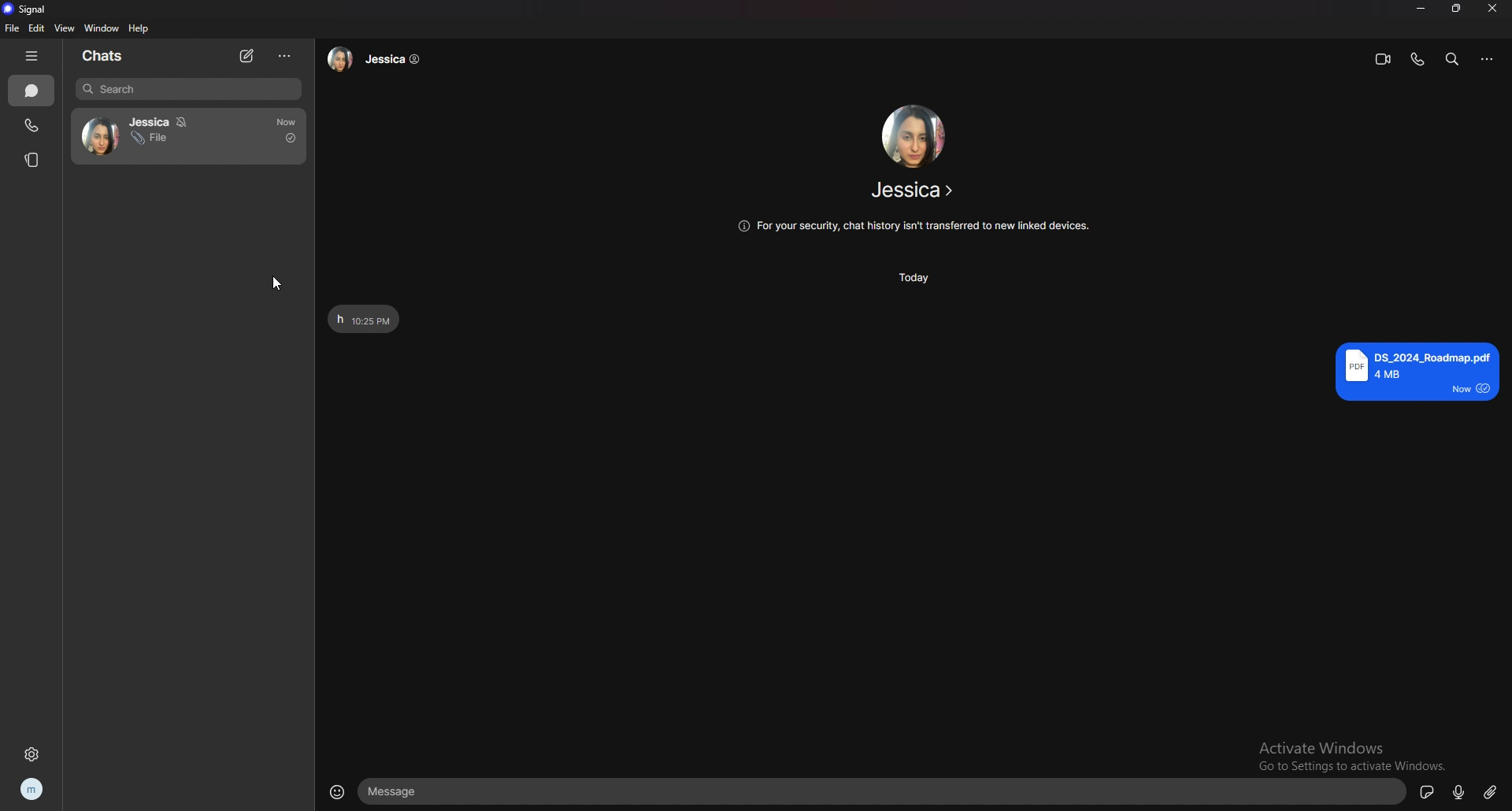 This screenshot has height=811, width=1512. I want to click on emoji, so click(339, 791).